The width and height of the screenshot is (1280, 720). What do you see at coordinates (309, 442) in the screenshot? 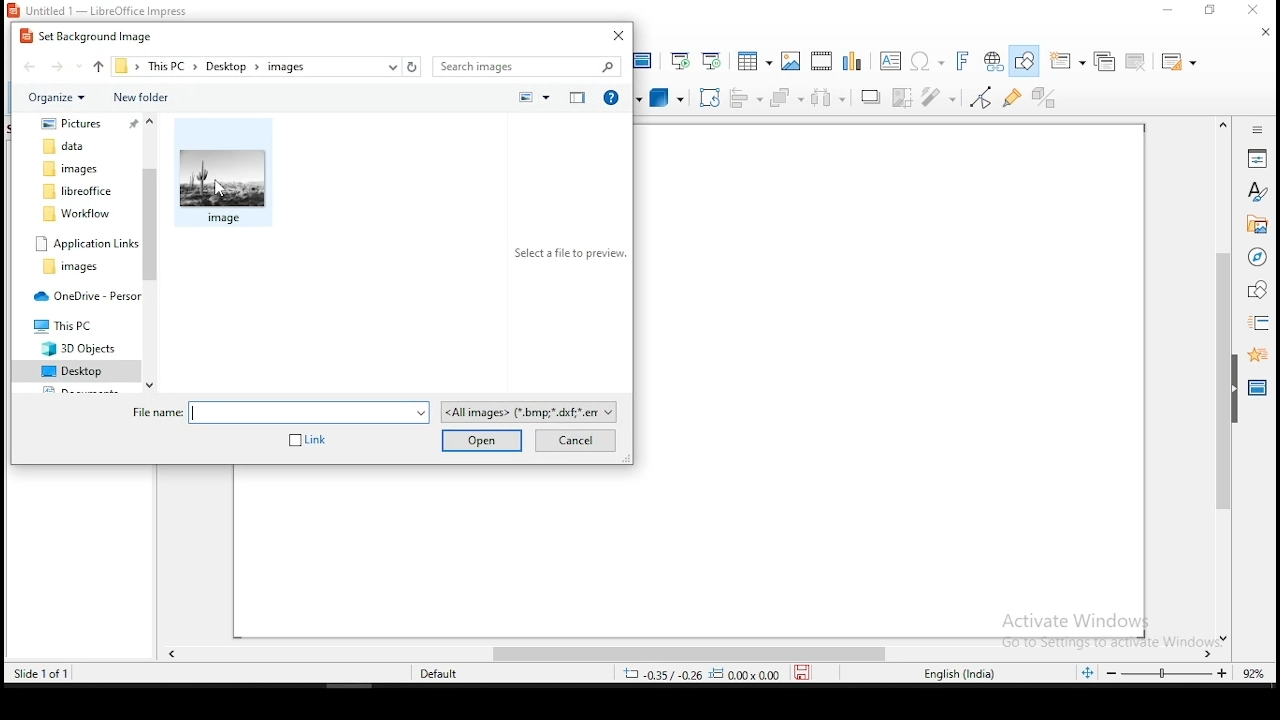
I see `Link` at bounding box center [309, 442].